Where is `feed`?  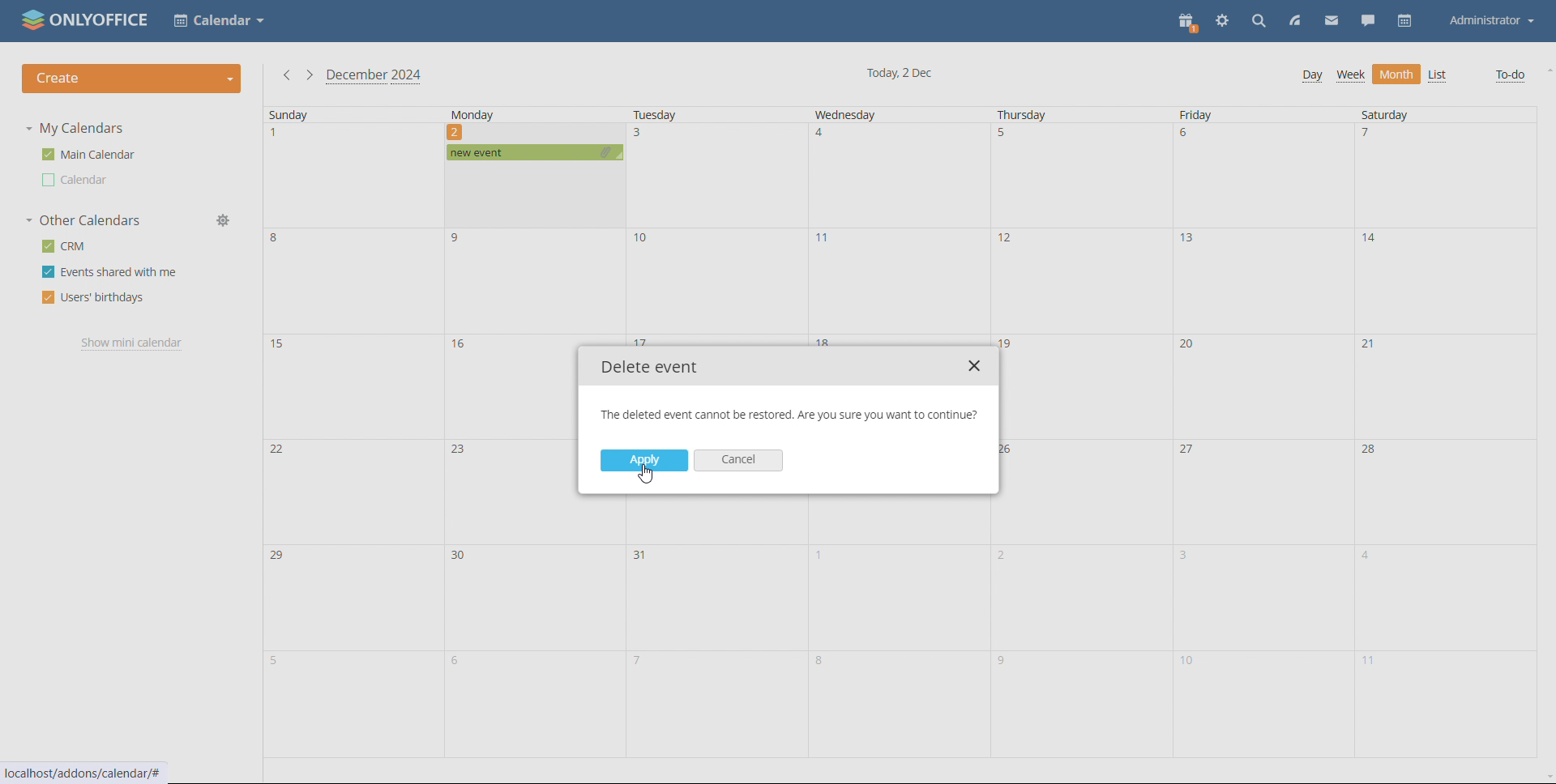 feed is located at coordinates (1292, 21).